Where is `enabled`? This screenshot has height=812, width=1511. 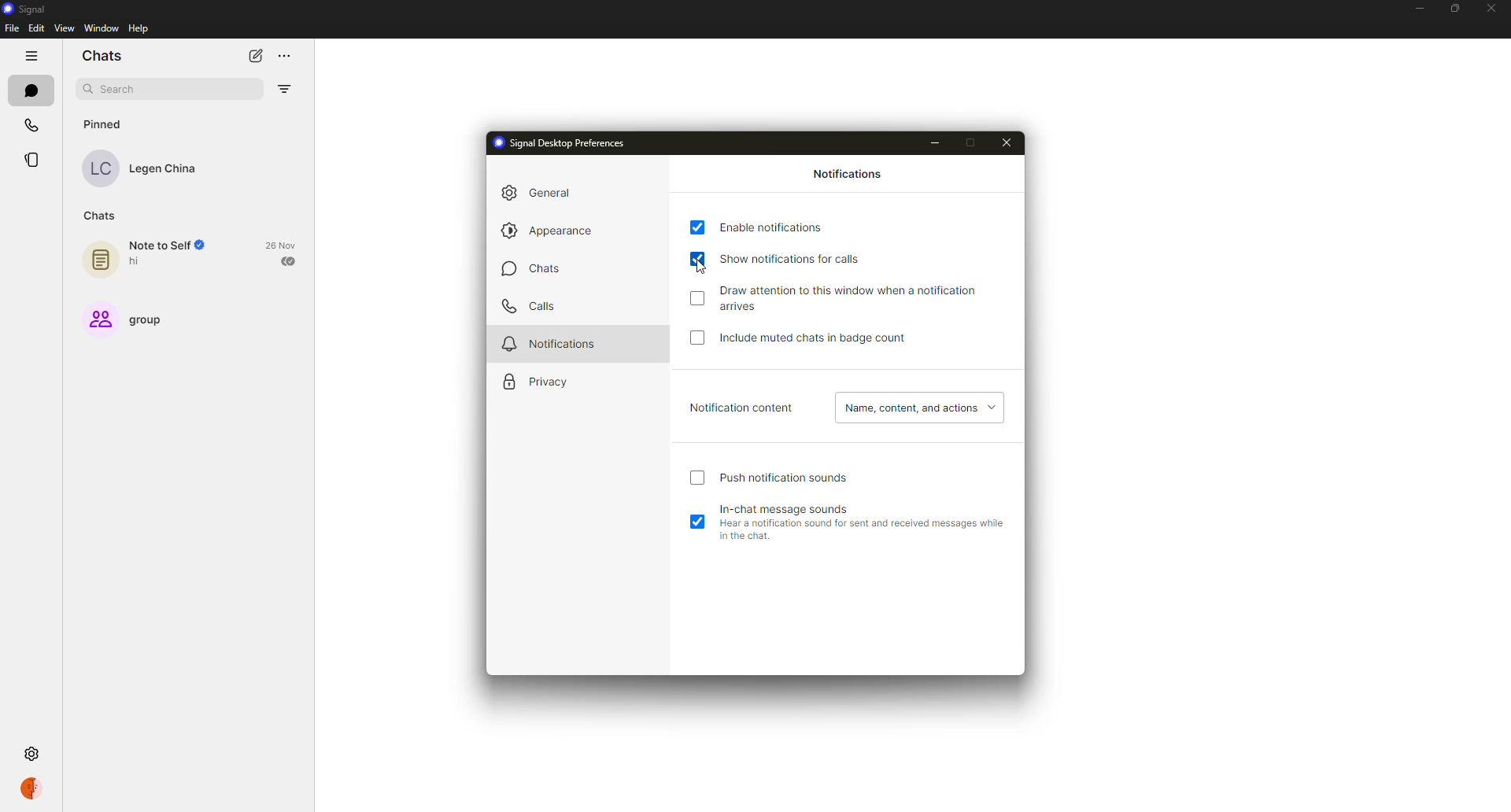 enabled is located at coordinates (696, 522).